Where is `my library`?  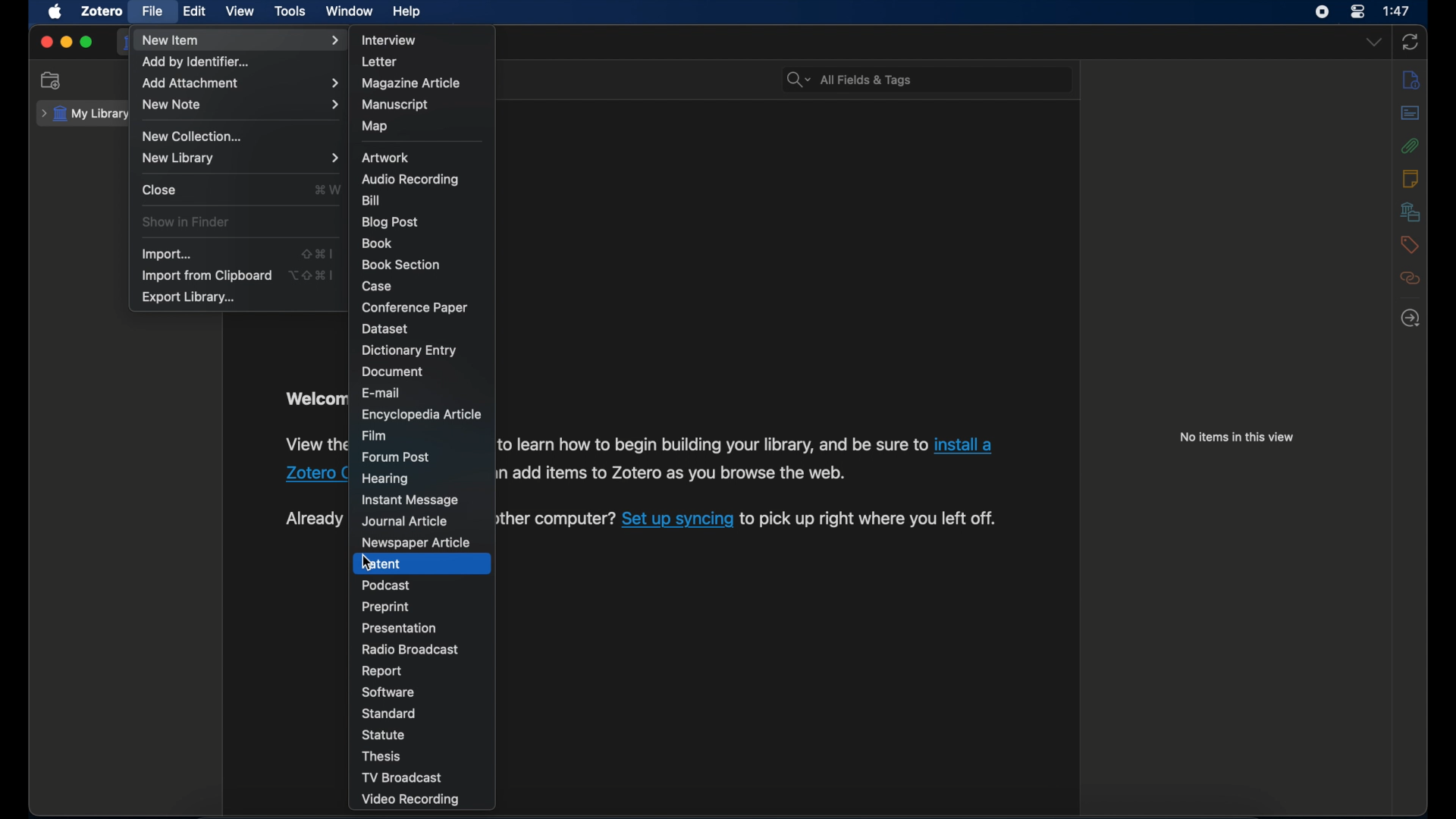 my library is located at coordinates (86, 114).